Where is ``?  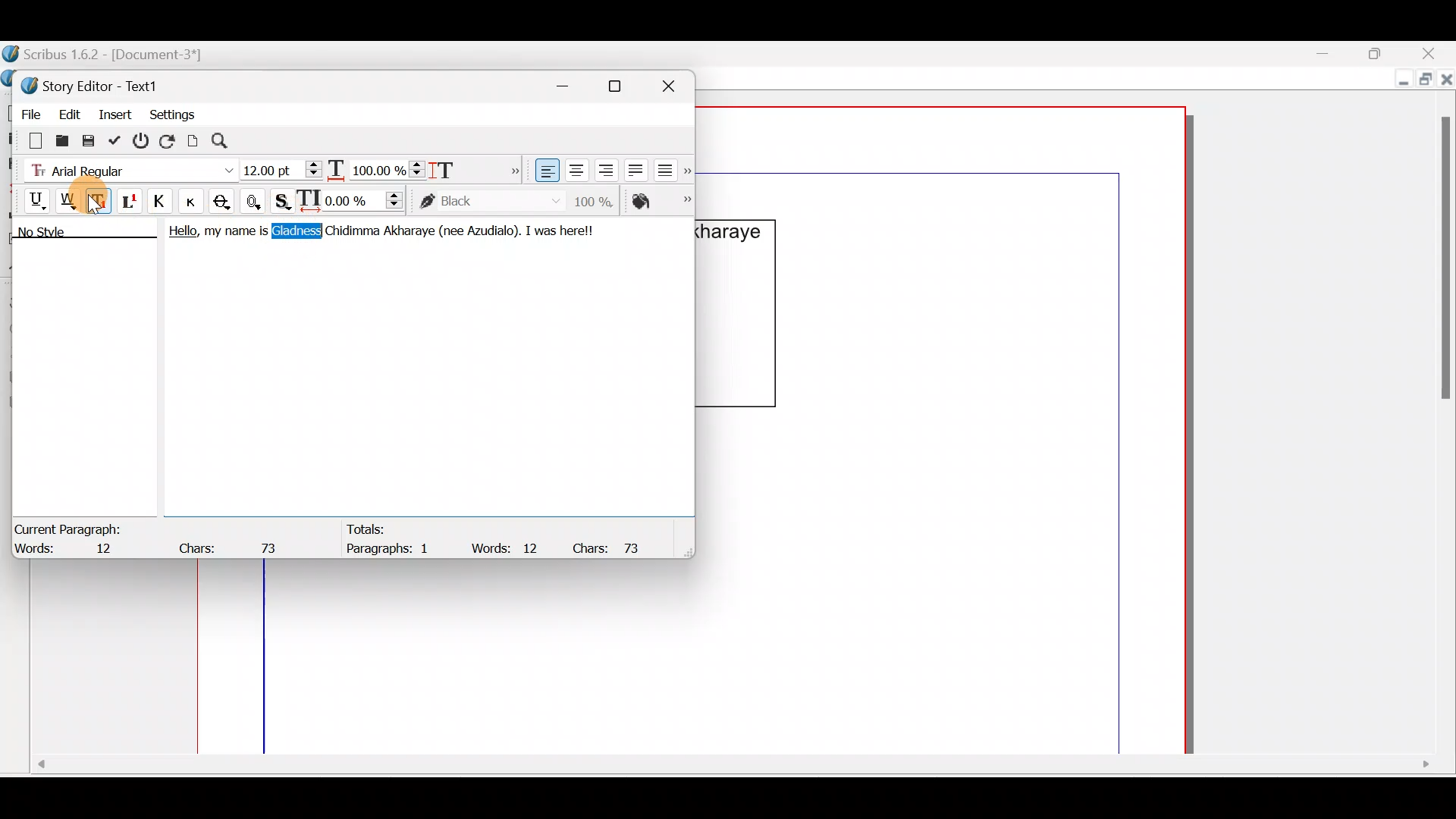
 is located at coordinates (196, 201).